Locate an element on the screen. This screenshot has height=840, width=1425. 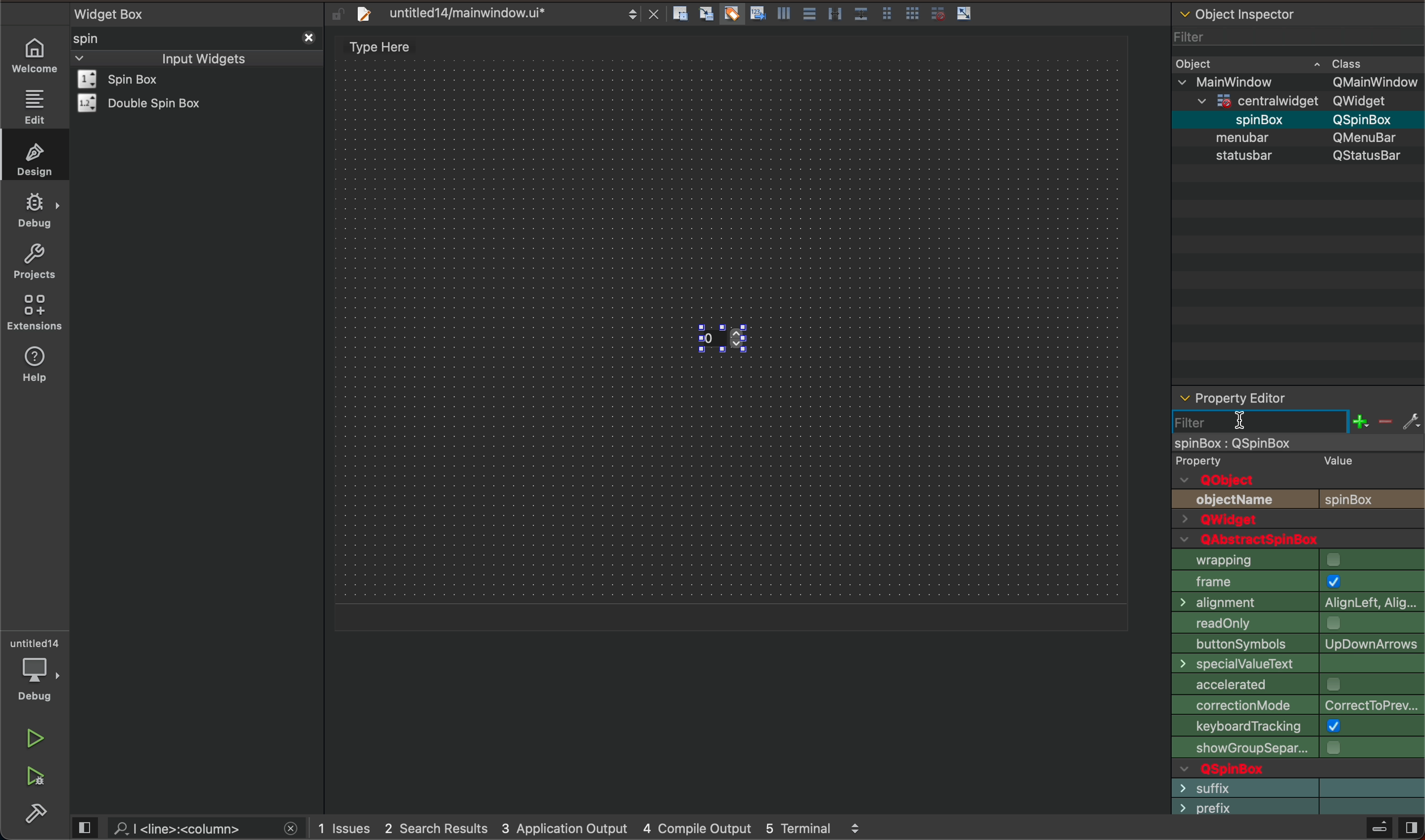
text is located at coordinates (1213, 460).